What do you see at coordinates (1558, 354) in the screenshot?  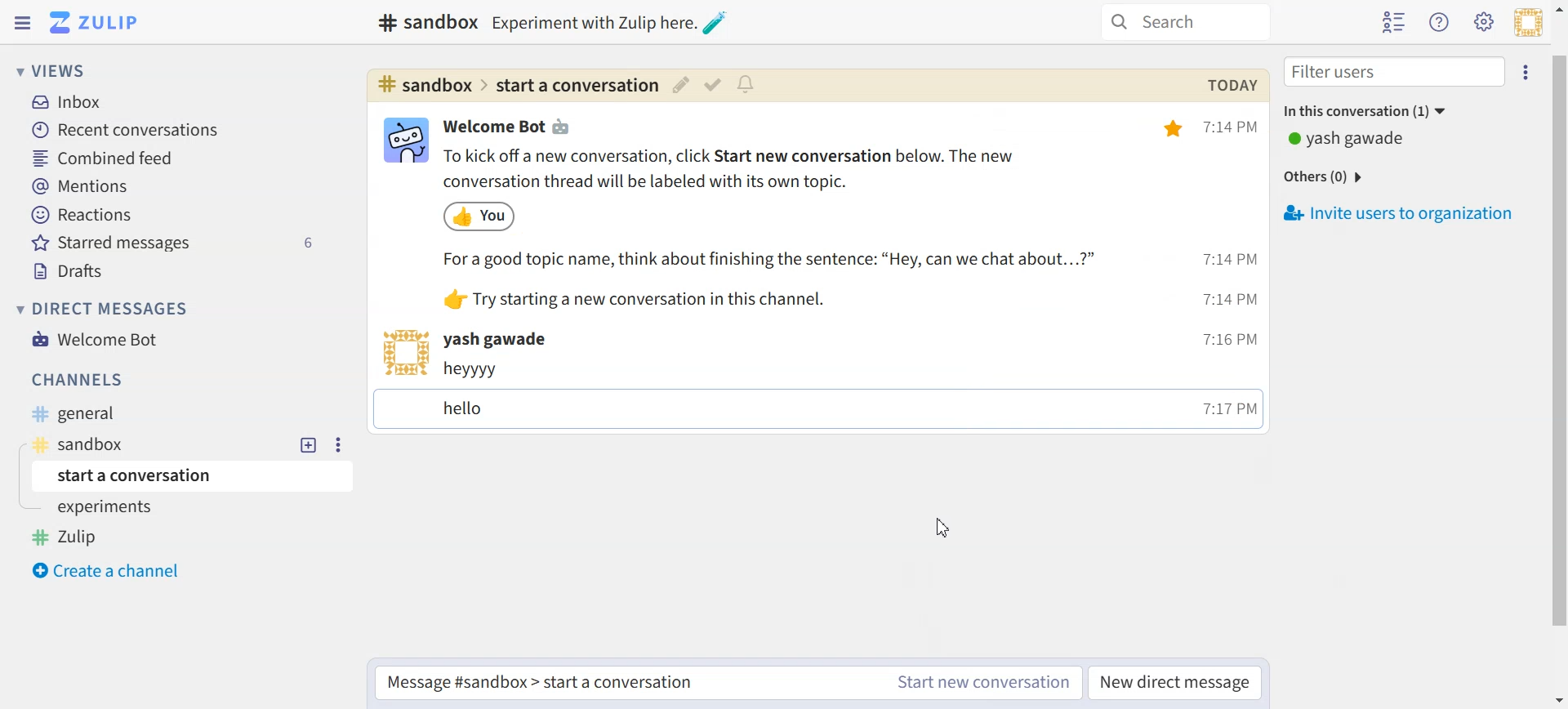 I see `Vertical scroll bar` at bounding box center [1558, 354].